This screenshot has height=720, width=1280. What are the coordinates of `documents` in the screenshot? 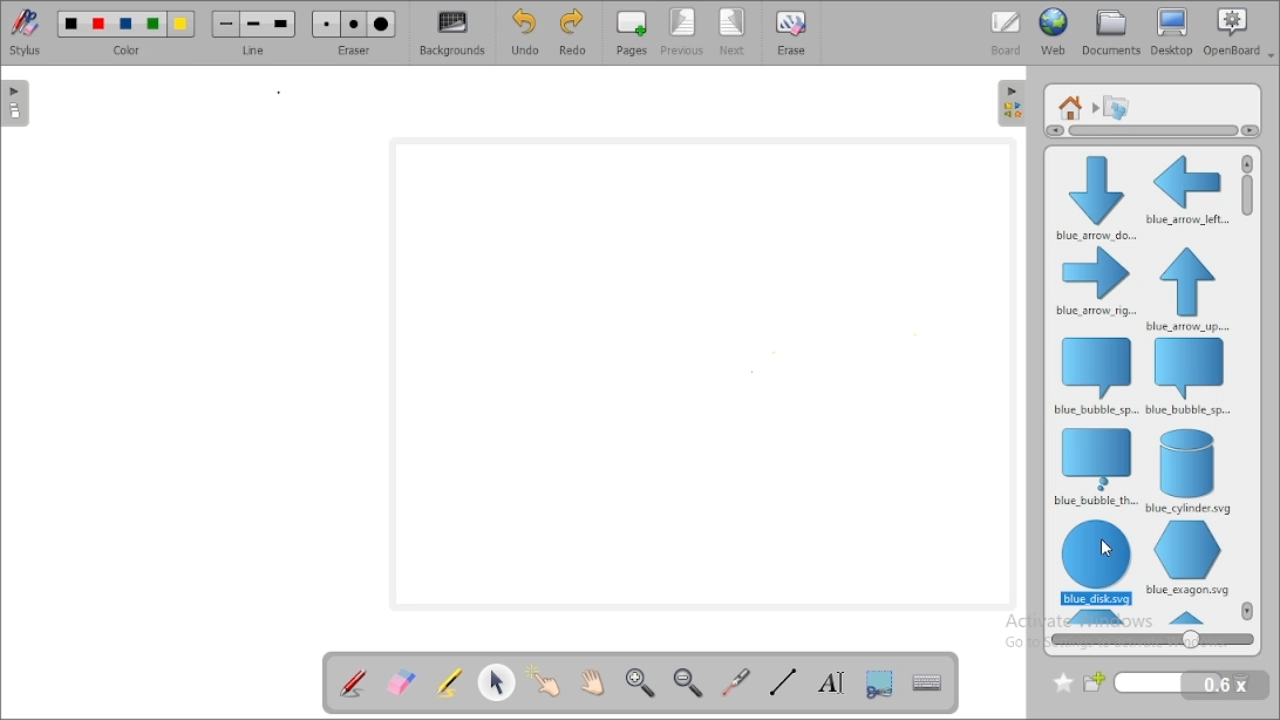 It's located at (1112, 32).